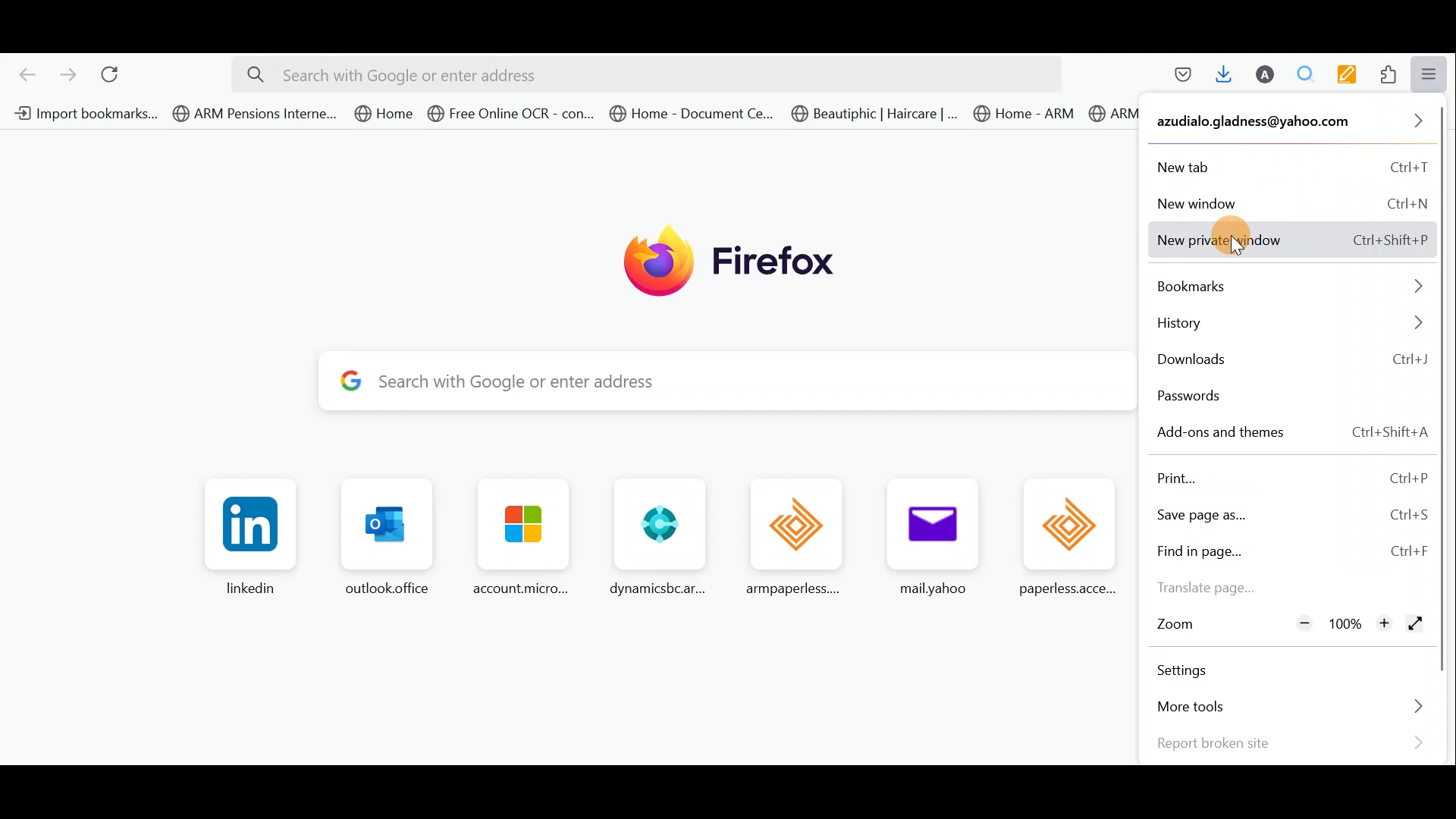  What do you see at coordinates (1291, 432) in the screenshot?
I see `Add-ons and themes` at bounding box center [1291, 432].